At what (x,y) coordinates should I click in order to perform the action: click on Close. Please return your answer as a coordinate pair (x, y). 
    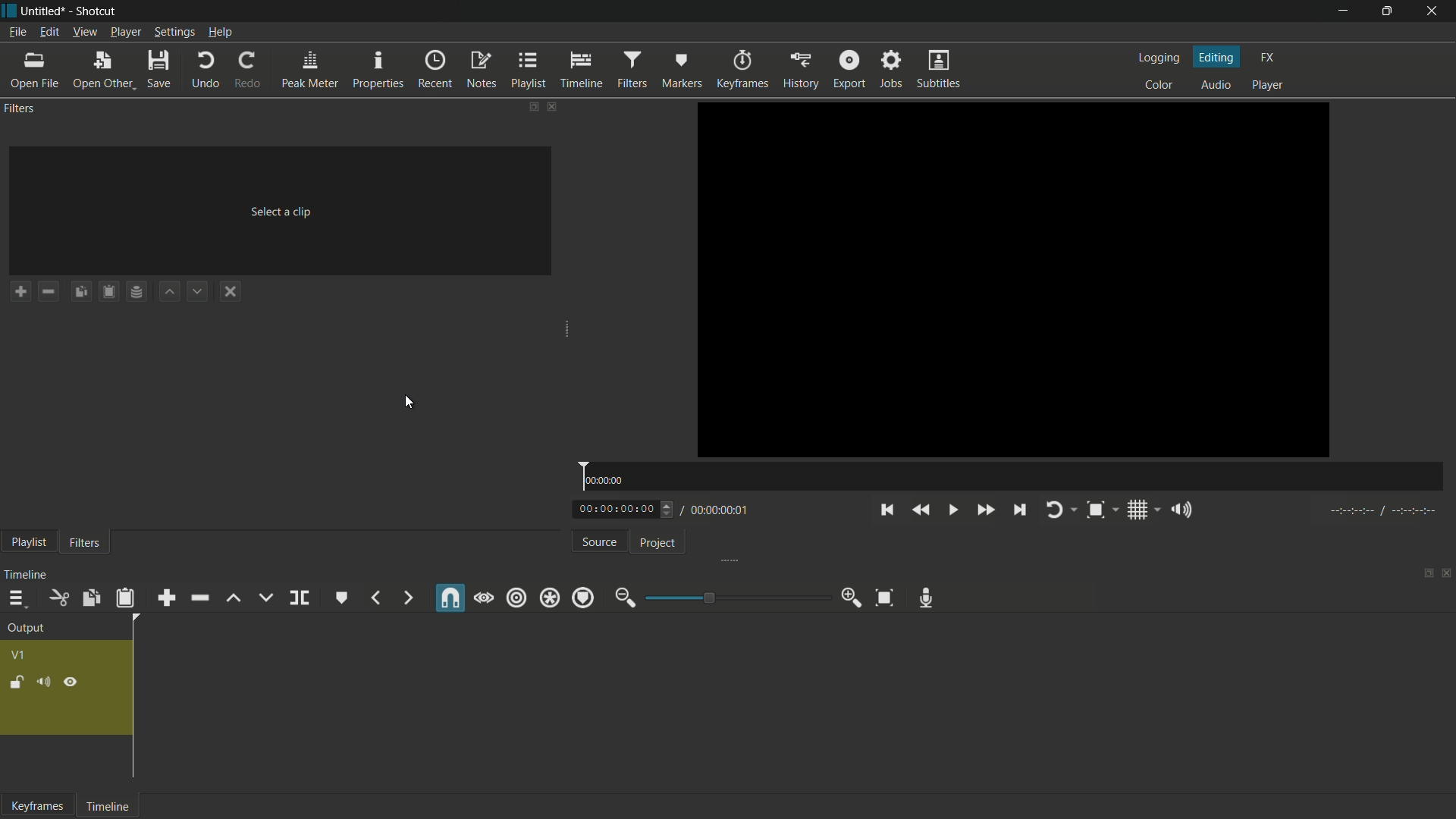
    Looking at the image, I should click on (1446, 575).